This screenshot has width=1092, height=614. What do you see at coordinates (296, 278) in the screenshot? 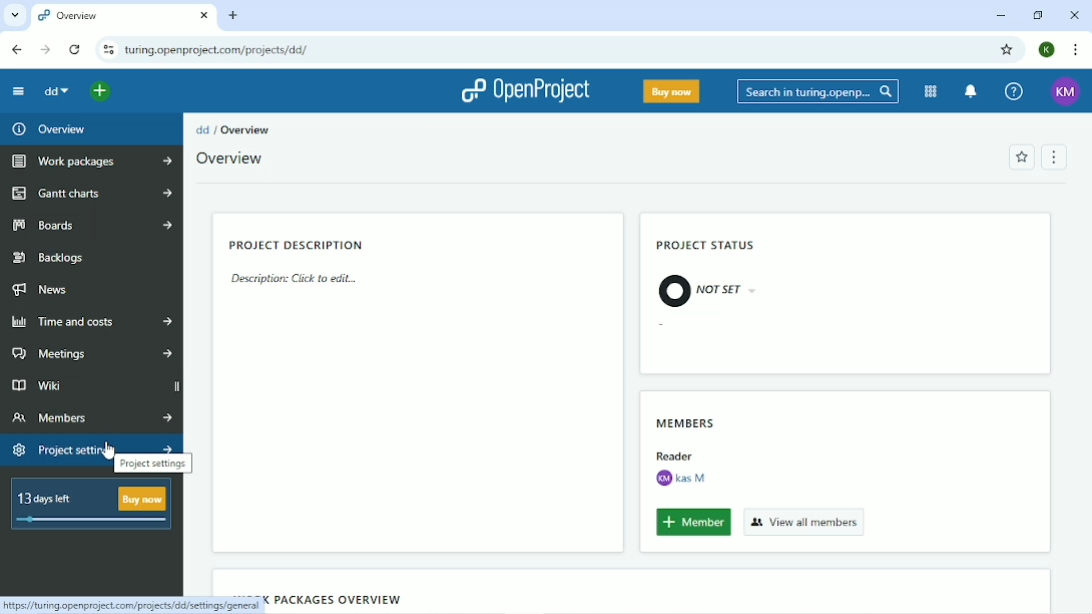
I see `Description: click to edit` at bounding box center [296, 278].